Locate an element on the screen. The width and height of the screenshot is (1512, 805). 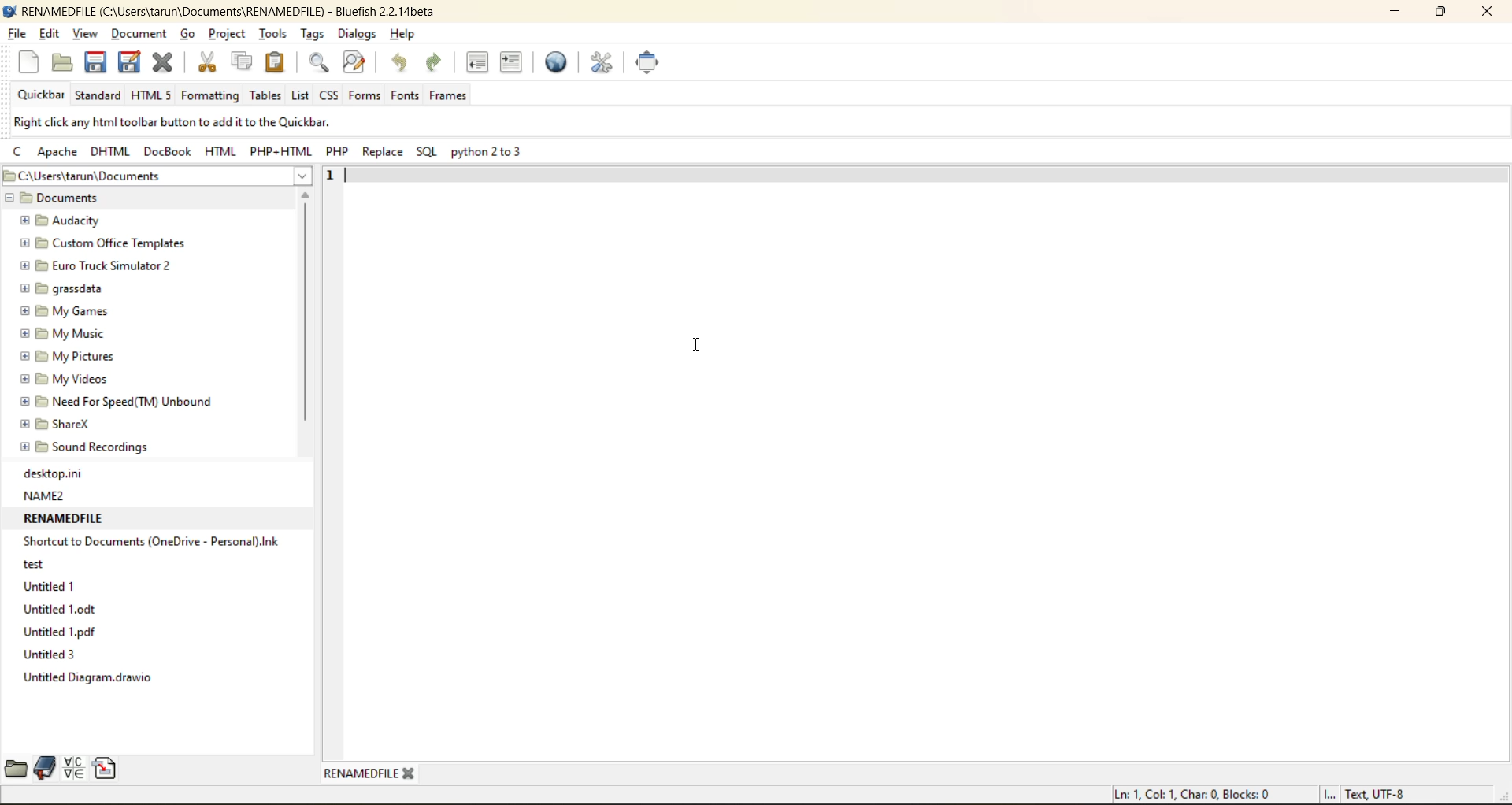
My Videos is located at coordinates (68, 380).